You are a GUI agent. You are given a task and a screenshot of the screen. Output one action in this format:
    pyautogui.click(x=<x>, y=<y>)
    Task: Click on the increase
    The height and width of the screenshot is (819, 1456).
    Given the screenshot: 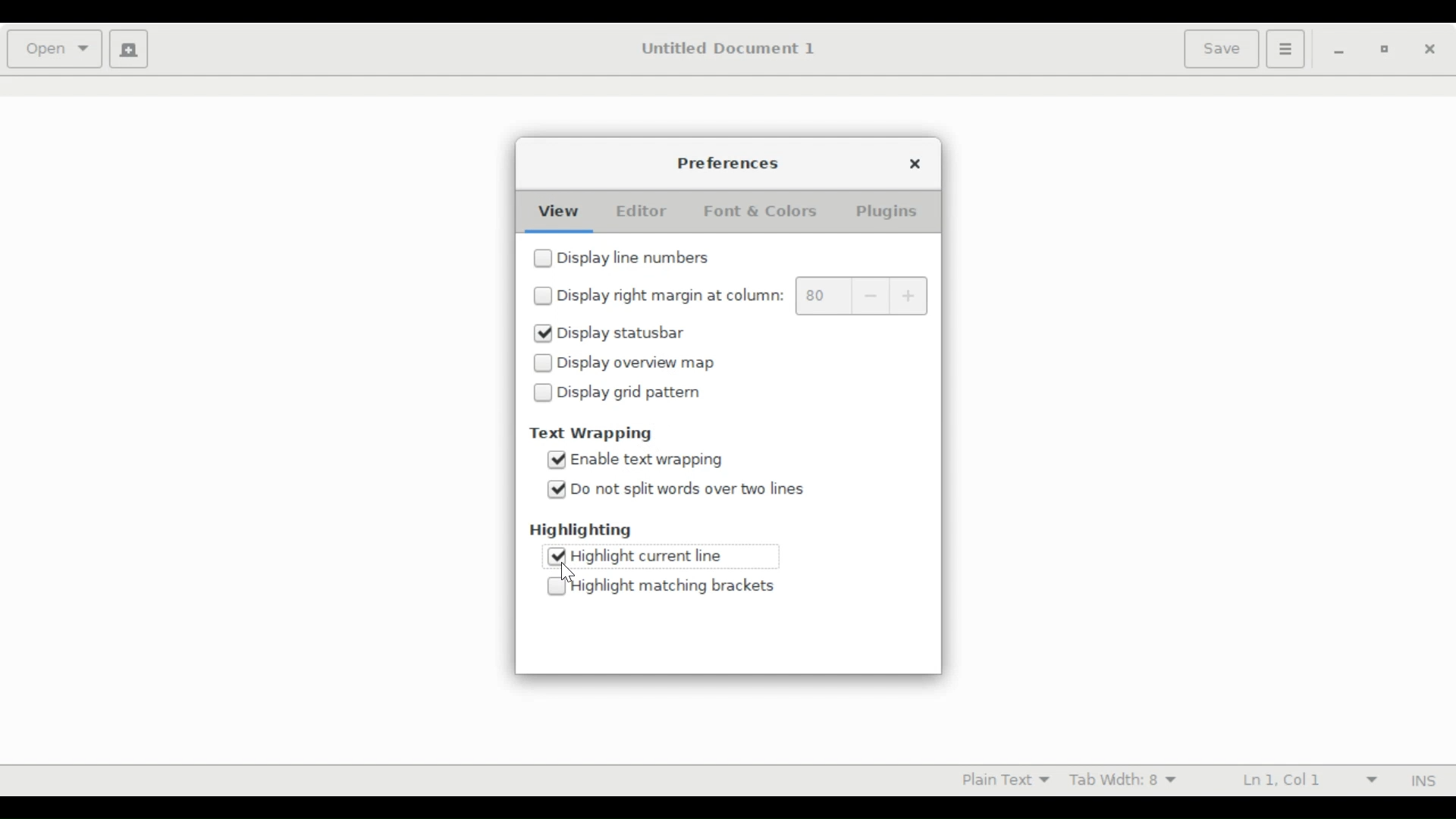 What is the action you would take?
    pyautogui.click(x=908, y=297)
    